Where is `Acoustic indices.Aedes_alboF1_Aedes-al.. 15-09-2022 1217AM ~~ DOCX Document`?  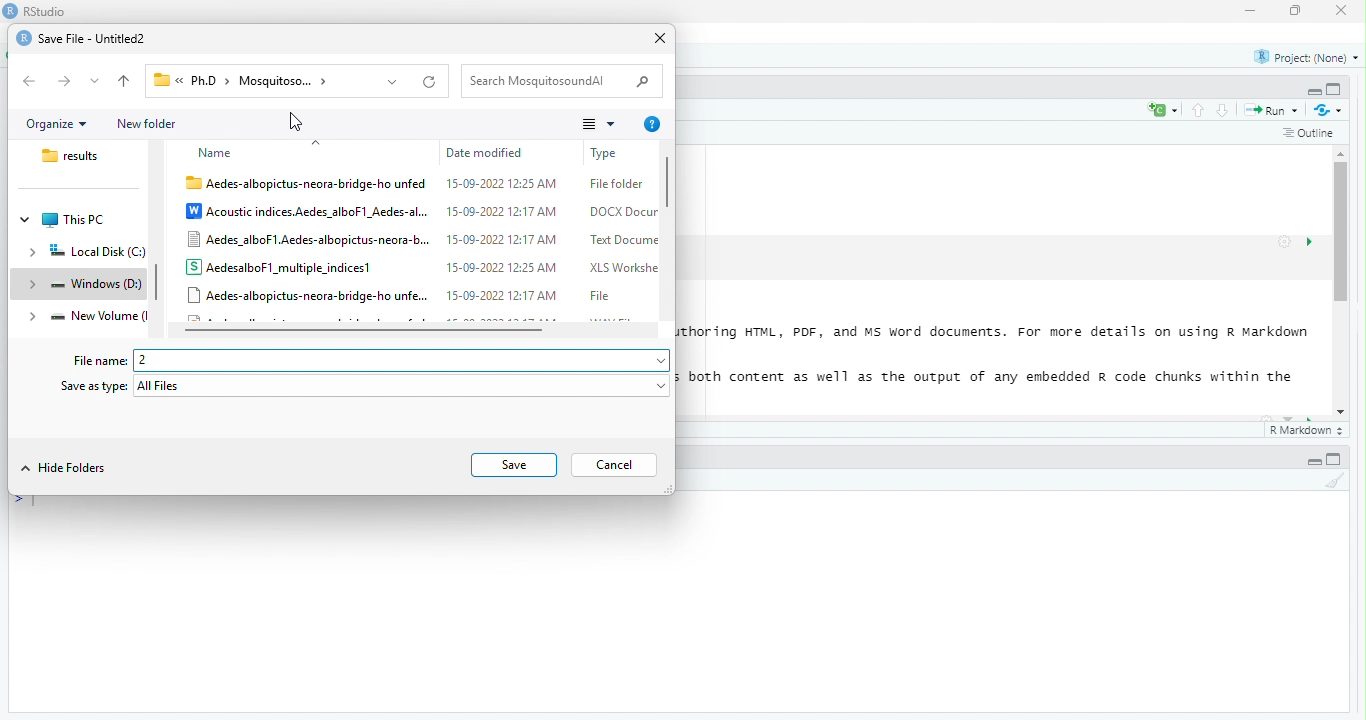
Acoustic indices.Aedes_alboF1_Aedes-al.. 15-09-2022 1217AM ~~ DOCX Document is located at coordinates (422, 212).